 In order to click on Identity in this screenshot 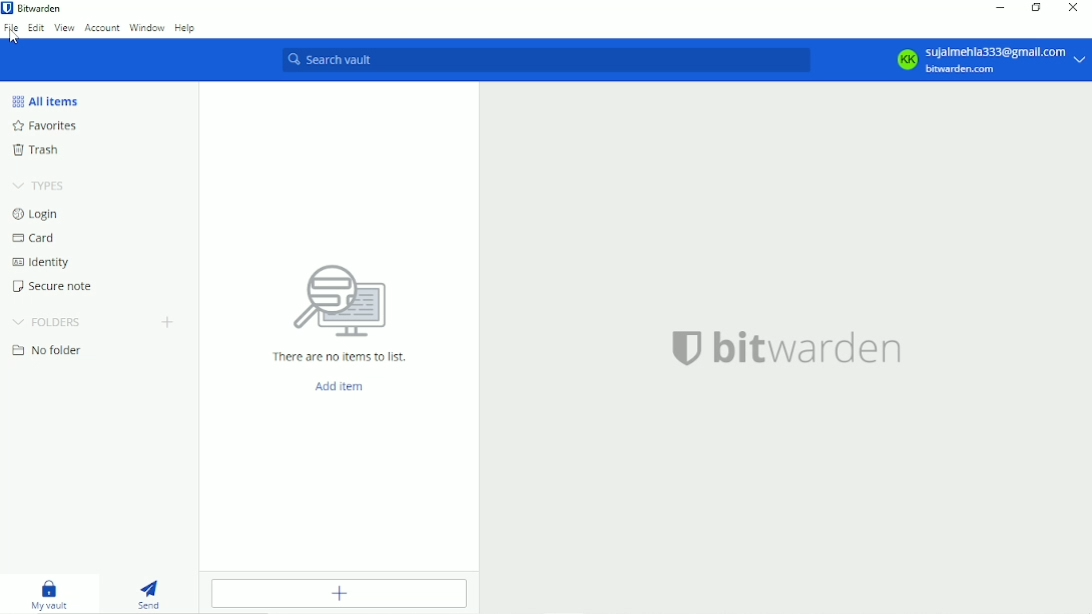, I will do `click(38, 262)`.